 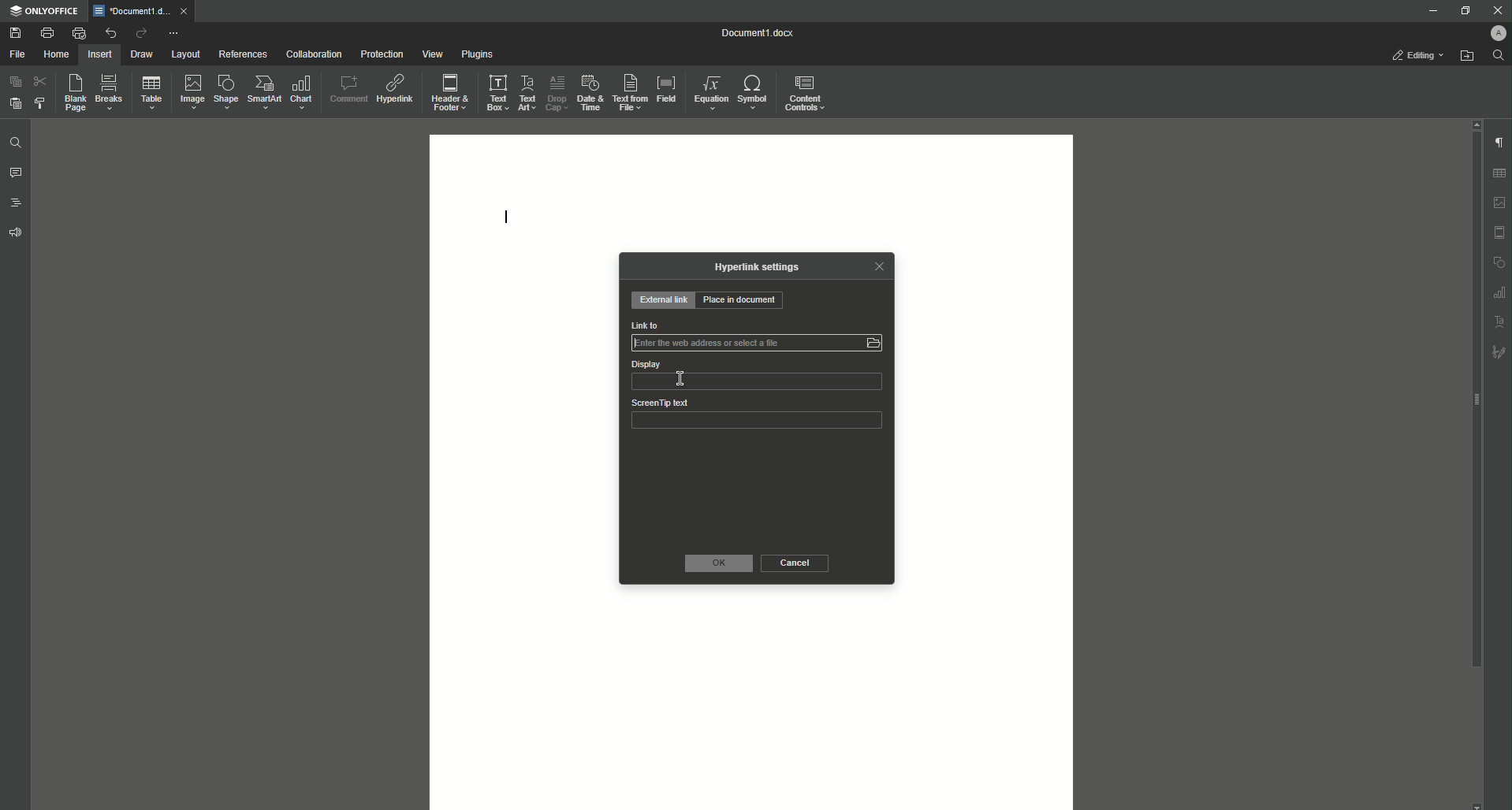 What do you see at coordinates (175, 34) in the screenshot?
I see `More Options` at bounding box center [175, 34].